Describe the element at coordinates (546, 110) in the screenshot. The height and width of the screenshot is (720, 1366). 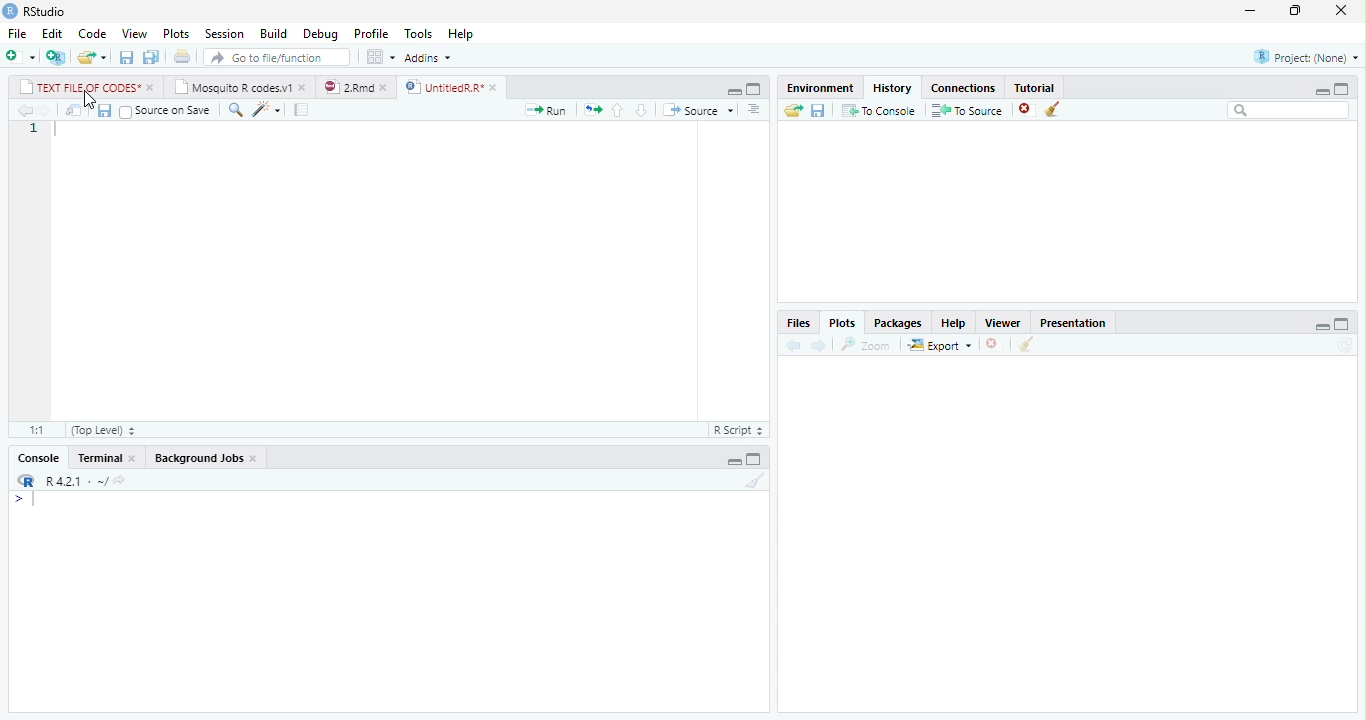
I see `Run` at that location.